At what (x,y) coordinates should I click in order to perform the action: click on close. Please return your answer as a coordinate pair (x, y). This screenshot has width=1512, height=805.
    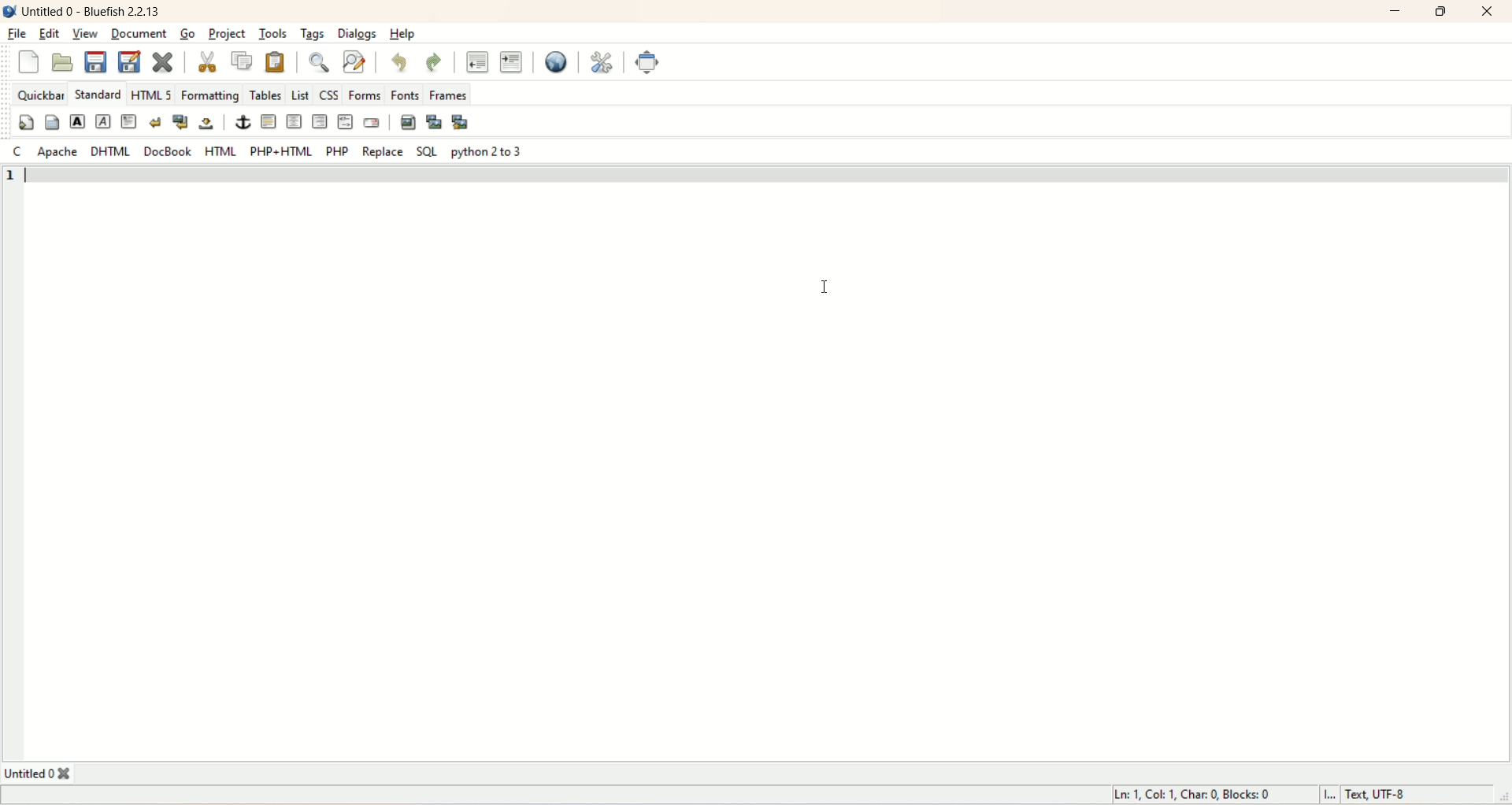
    Looking at the image, I should click on (1488, 12).